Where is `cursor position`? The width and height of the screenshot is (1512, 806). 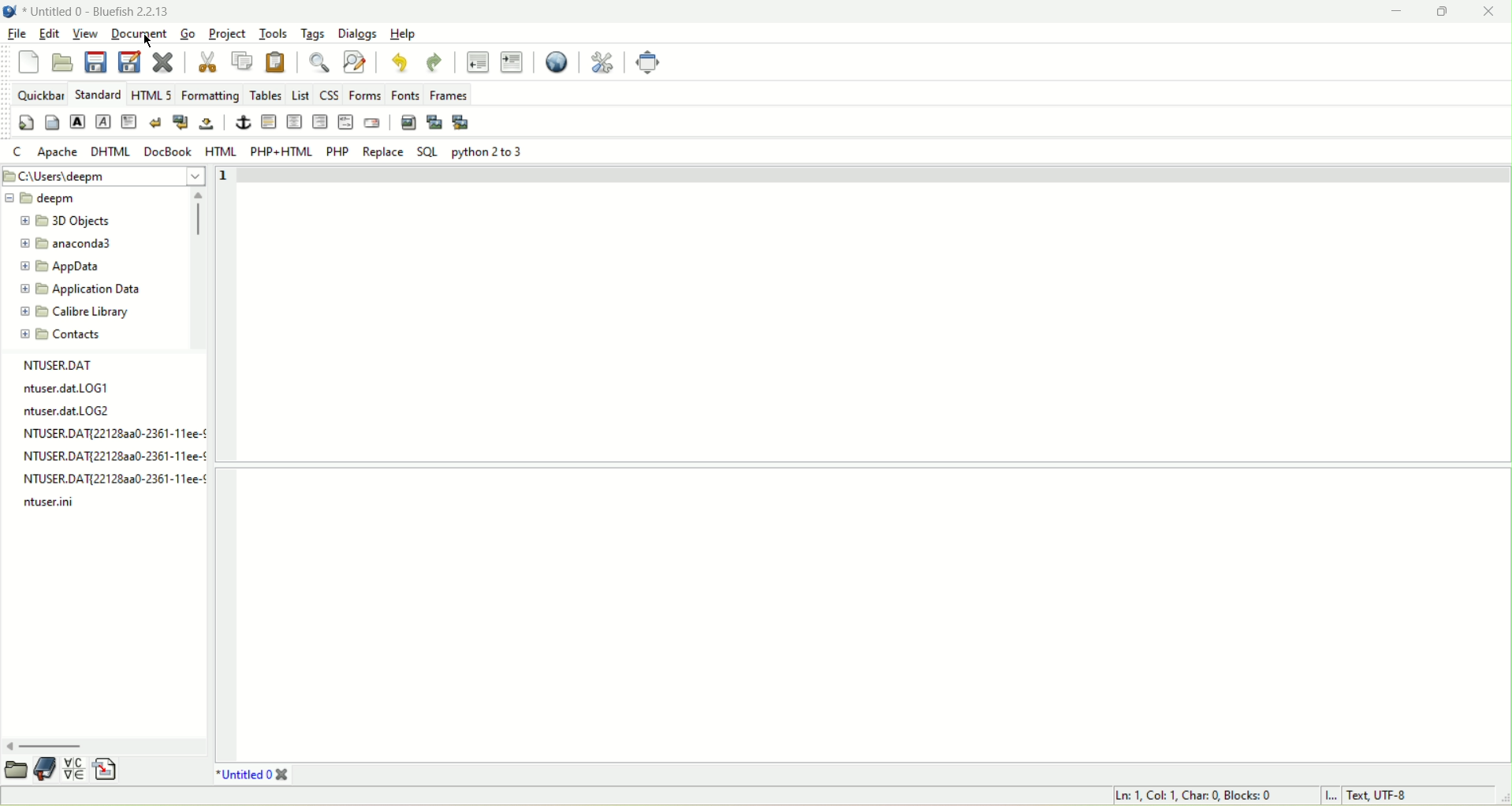 cursor position is located at coordinates (1197, 797).